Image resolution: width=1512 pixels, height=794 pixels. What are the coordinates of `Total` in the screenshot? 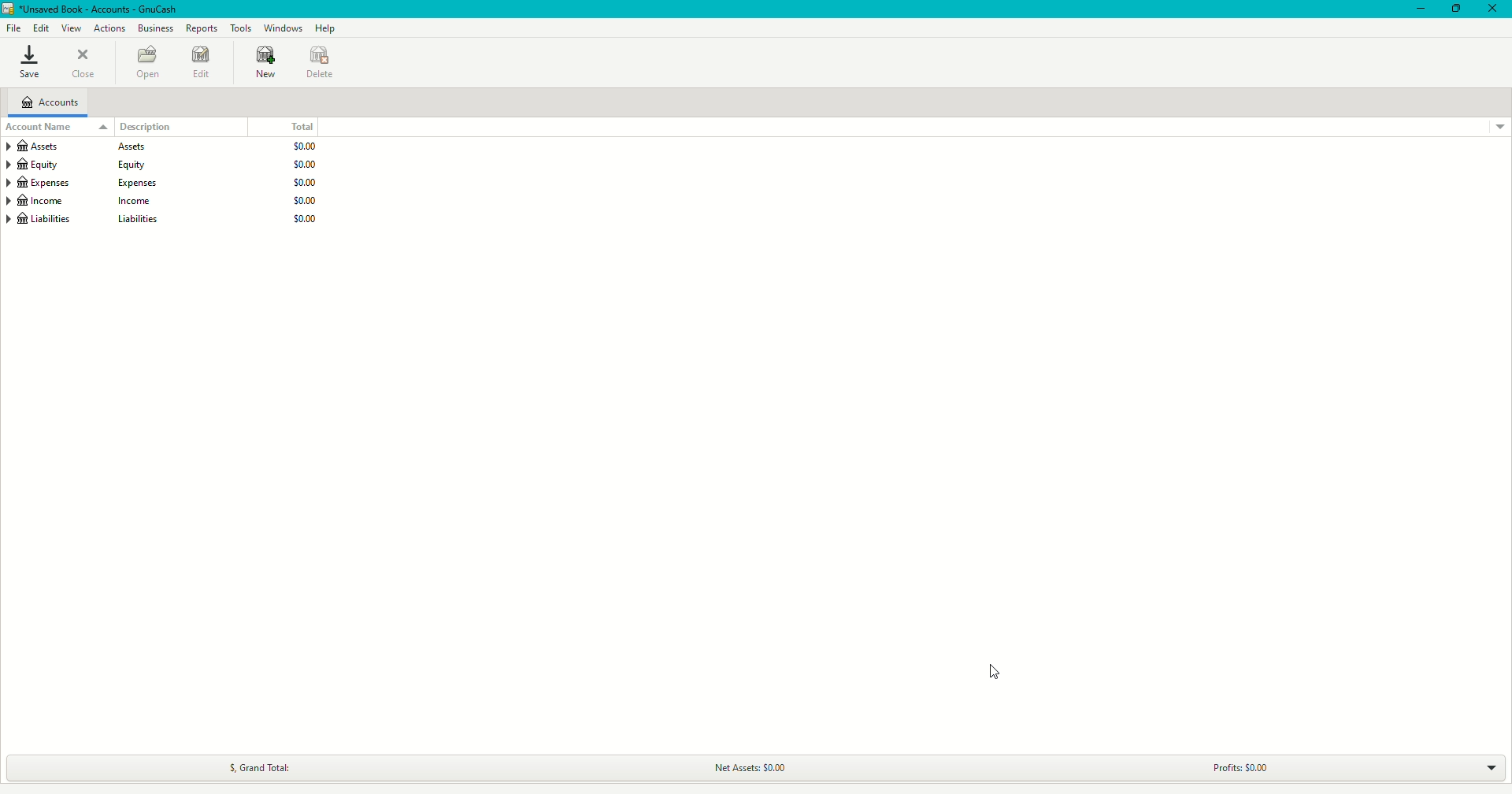 It's located at (308, 128).